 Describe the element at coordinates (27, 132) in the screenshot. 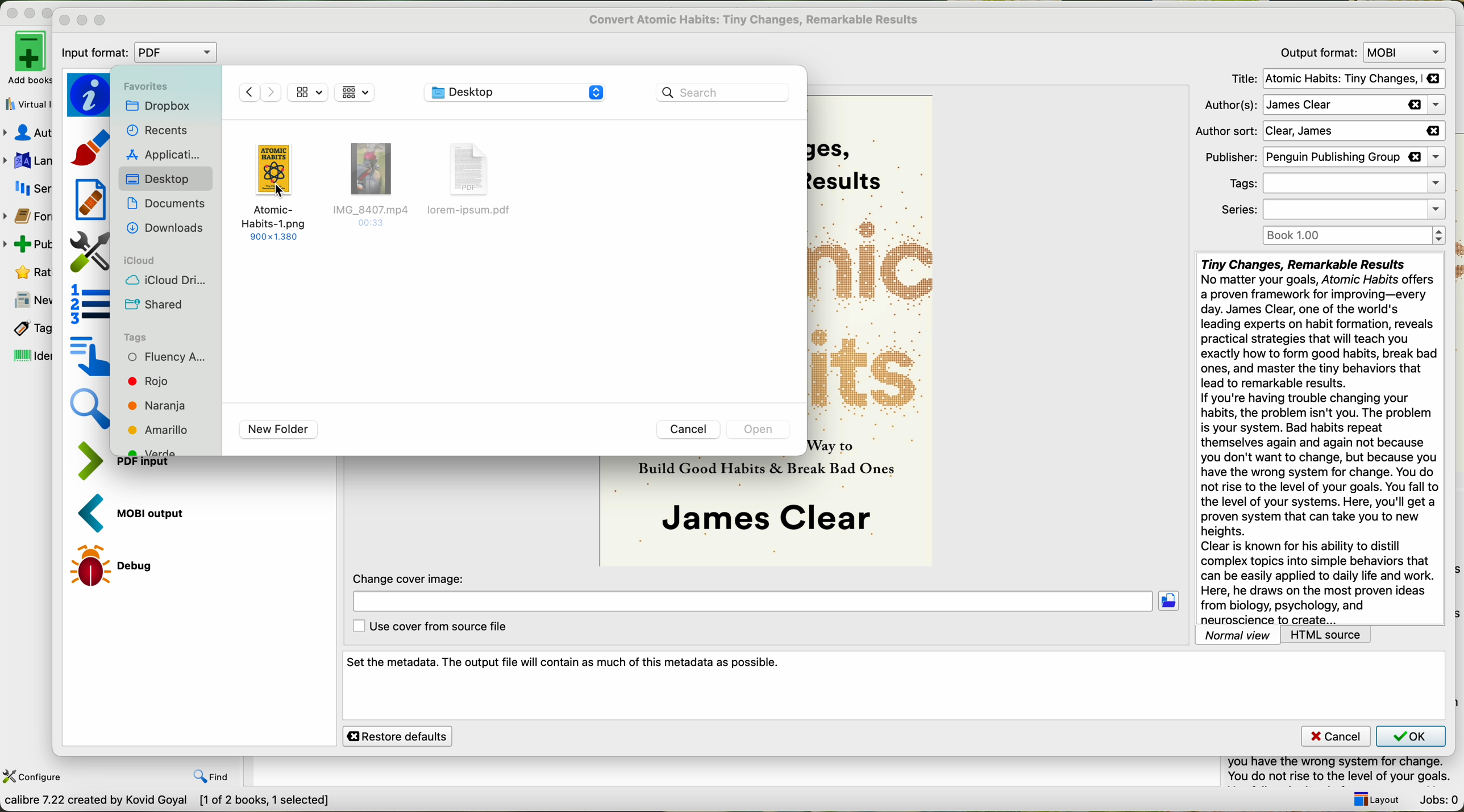

I see `authors` at that location.